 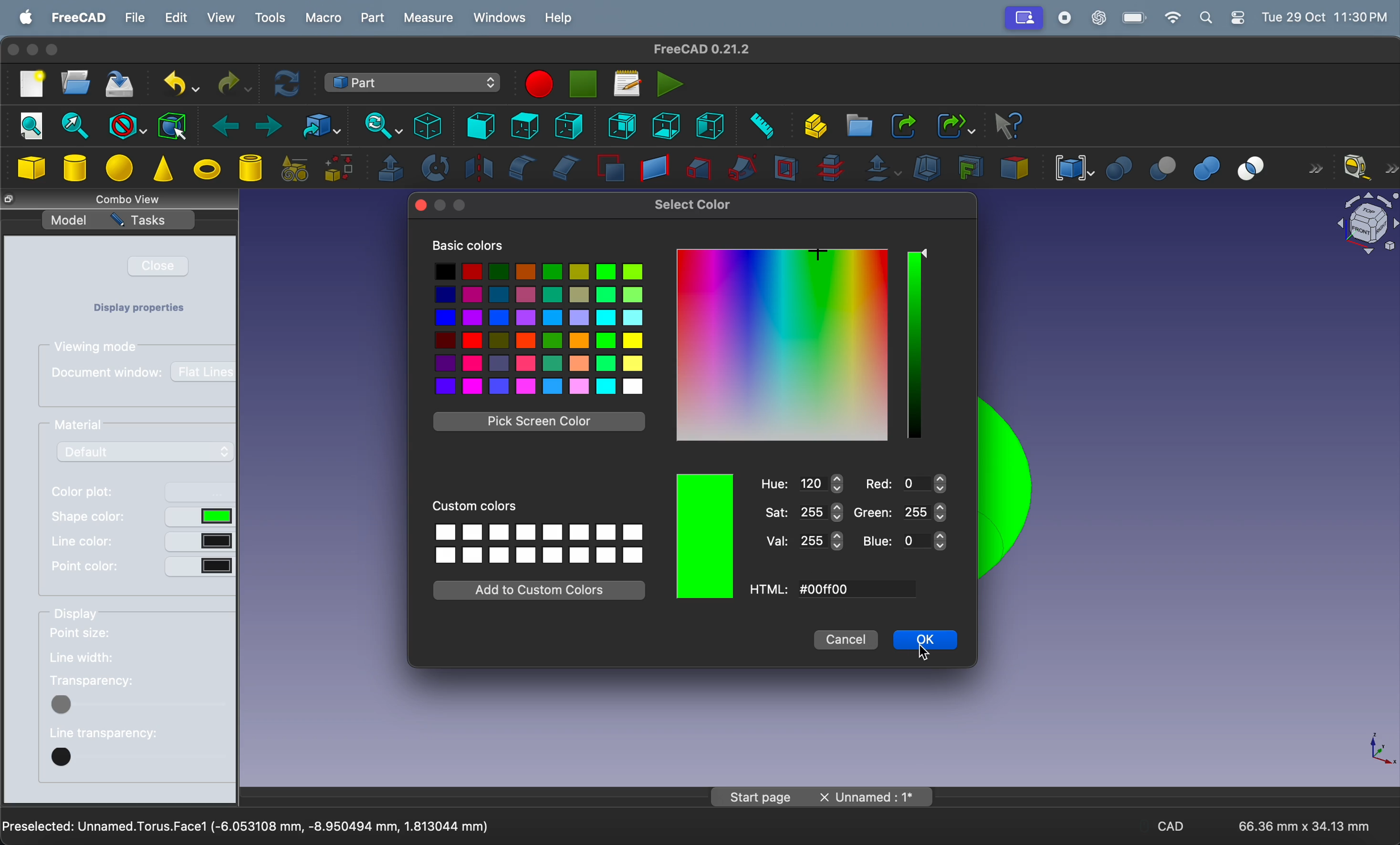 I want to click on object view, so click(x=1366, y=225).